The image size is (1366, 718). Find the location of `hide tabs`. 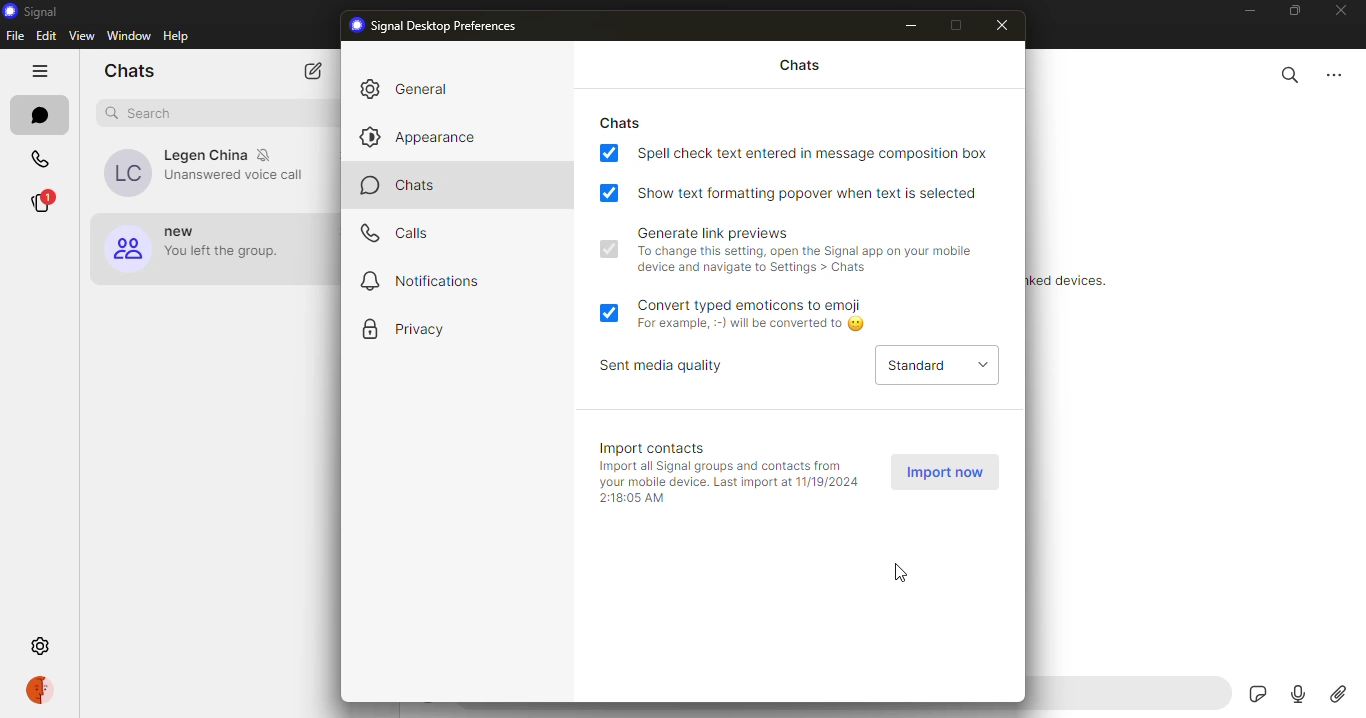

hide tabs is located at coordinates (38, 69).